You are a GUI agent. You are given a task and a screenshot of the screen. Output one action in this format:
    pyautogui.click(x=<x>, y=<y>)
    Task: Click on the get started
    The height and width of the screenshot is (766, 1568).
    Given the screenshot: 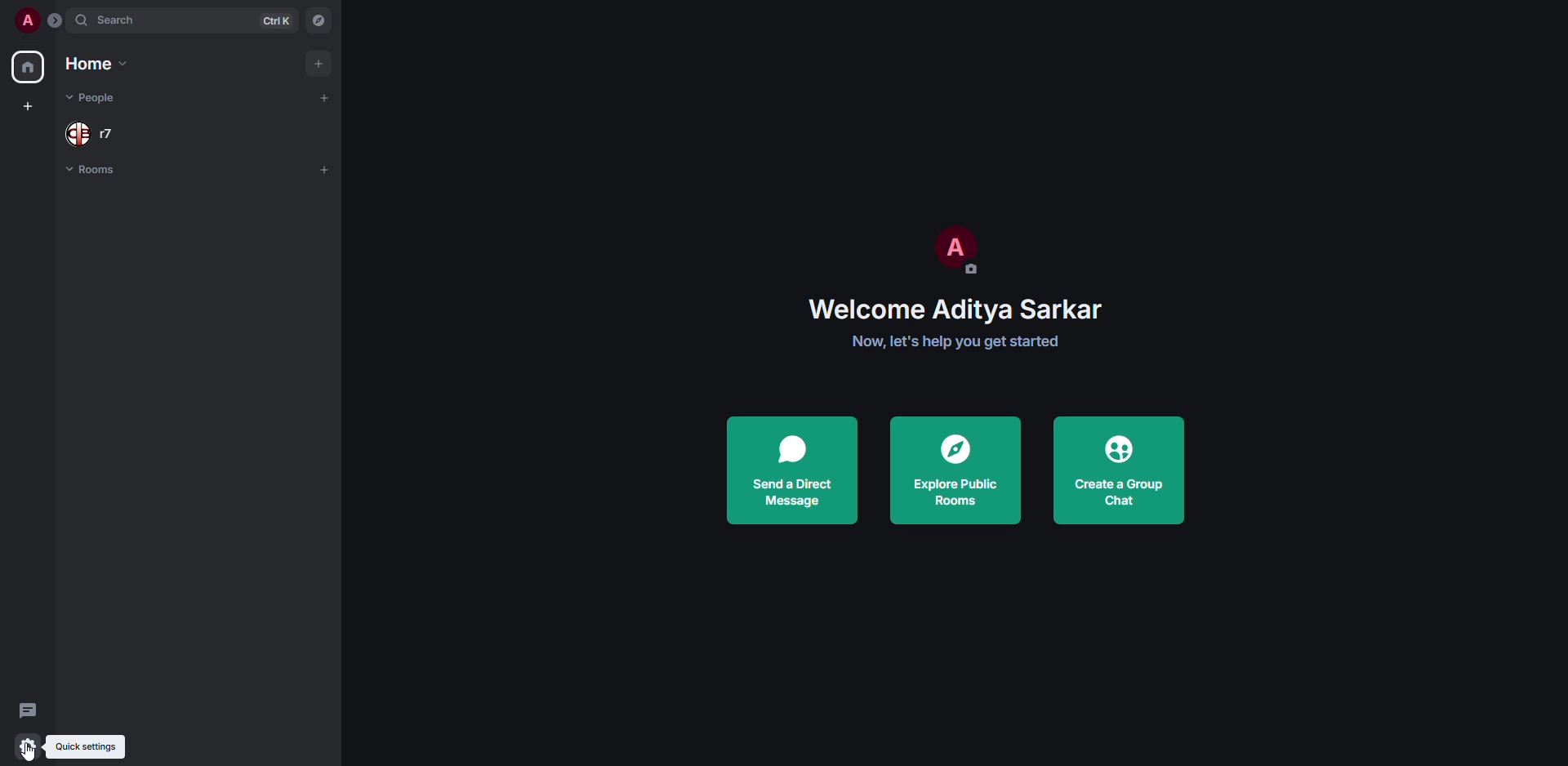 What is the action you would take?
    pyautogui.click(x=956, y=341)
    